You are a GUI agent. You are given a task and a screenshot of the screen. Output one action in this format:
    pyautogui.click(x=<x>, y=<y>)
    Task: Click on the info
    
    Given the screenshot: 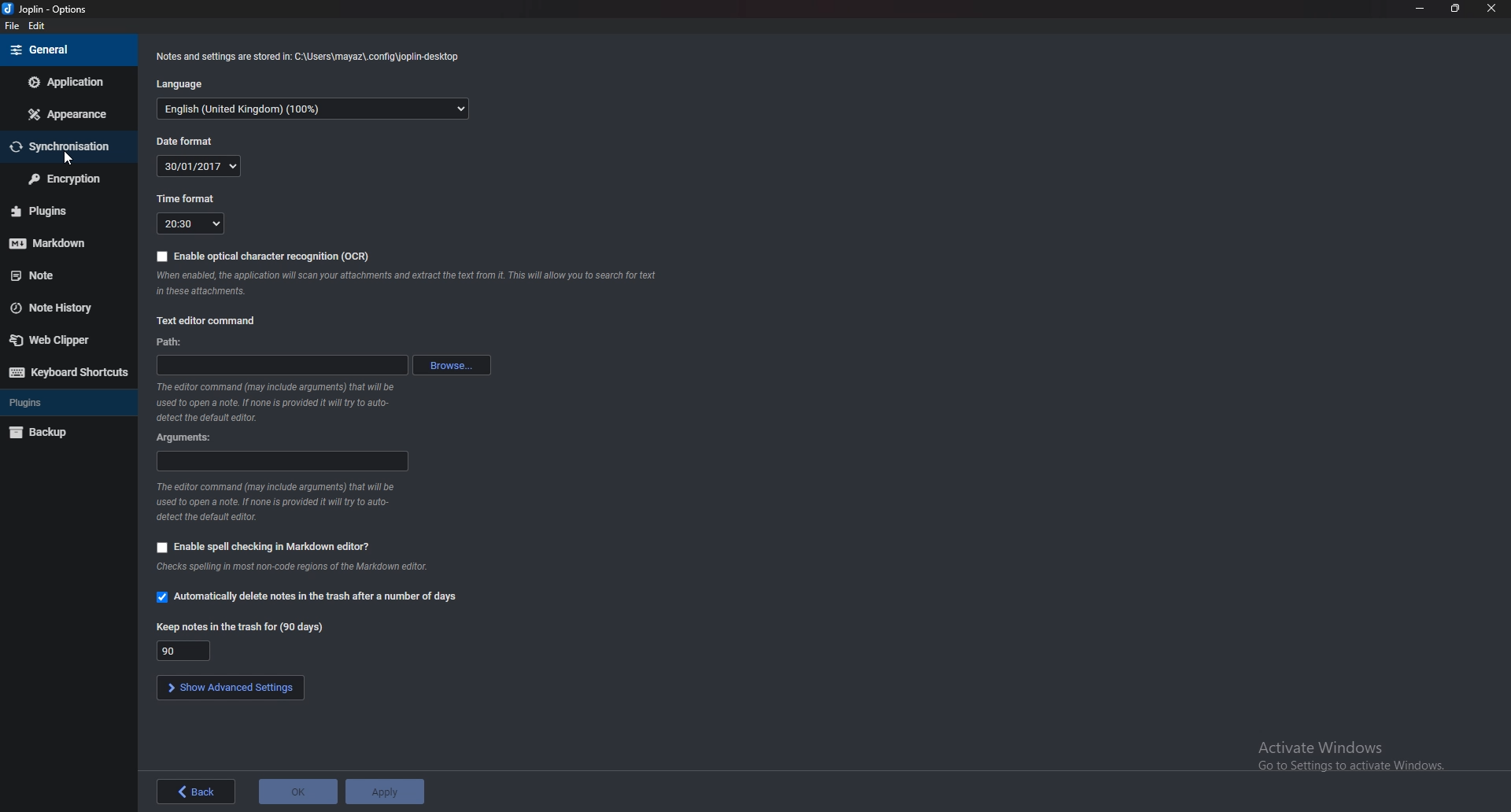 What is the action you would take?
    pyautogui.click(x=295, y=565)
    